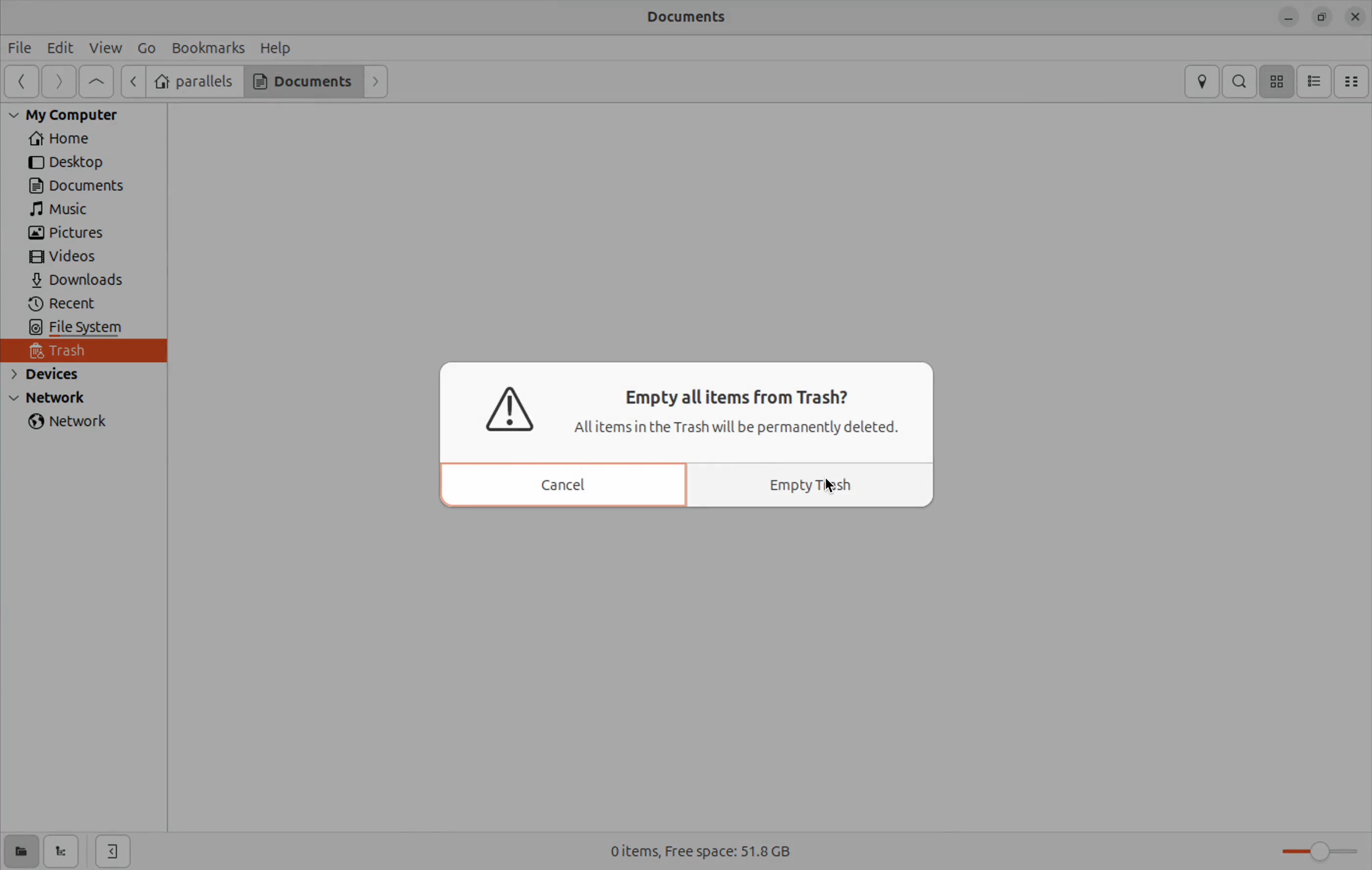  I want to click on show places, so click(20, 851).